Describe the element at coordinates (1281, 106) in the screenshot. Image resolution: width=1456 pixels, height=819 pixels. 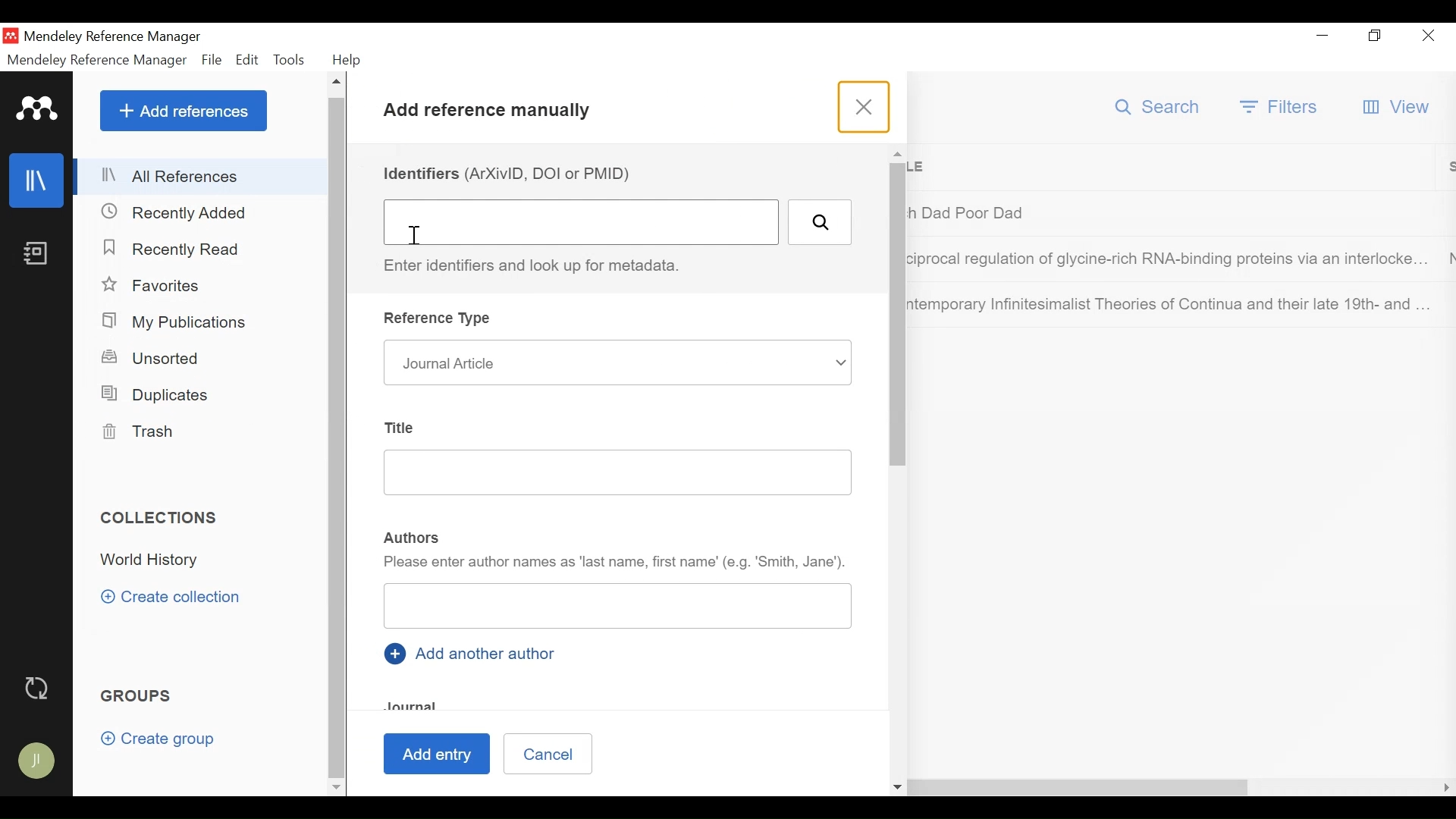
I see `Filter` at that location.